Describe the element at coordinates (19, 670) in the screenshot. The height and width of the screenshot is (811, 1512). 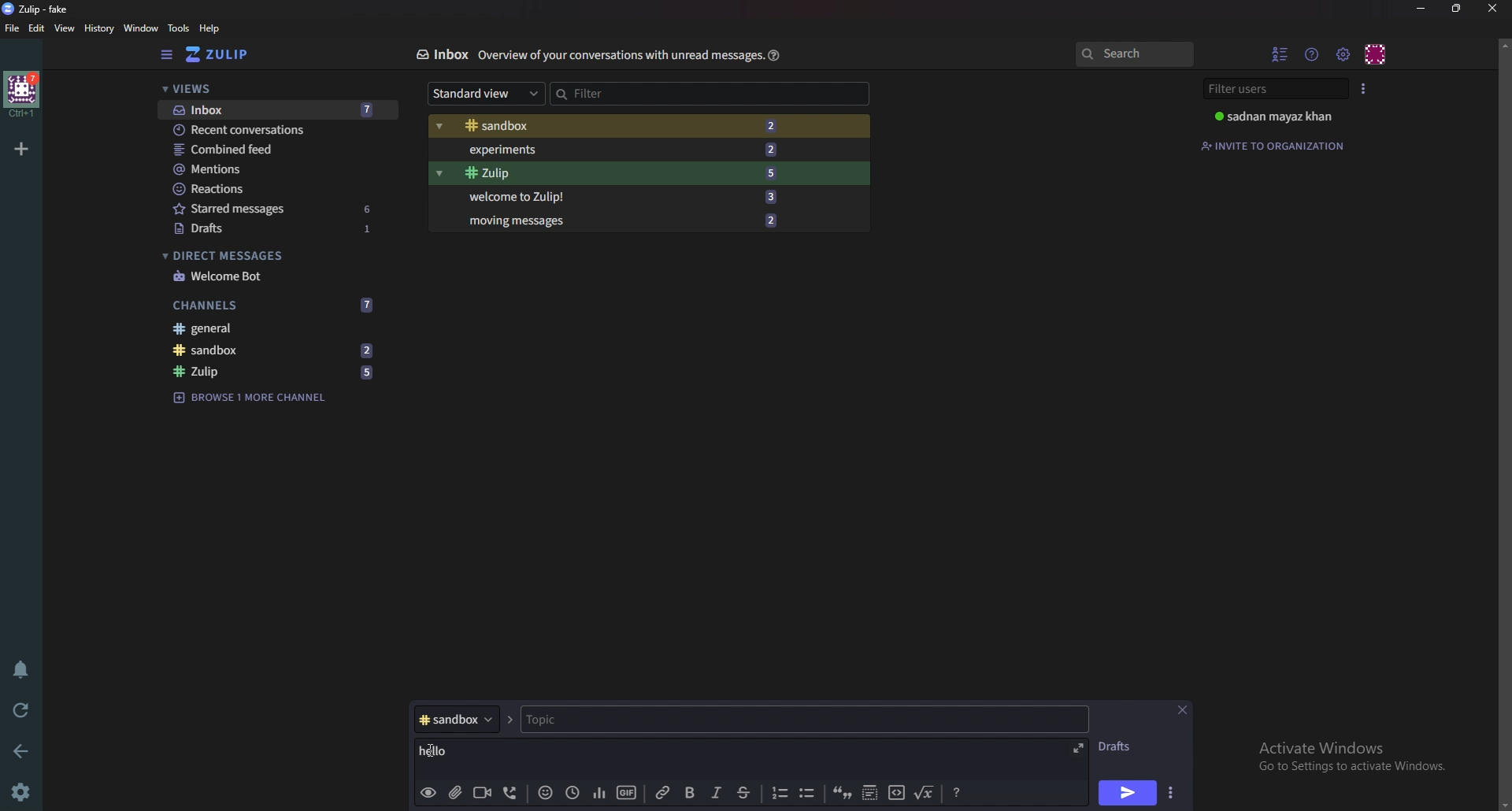
I see `Enable do not disturb` at that location.